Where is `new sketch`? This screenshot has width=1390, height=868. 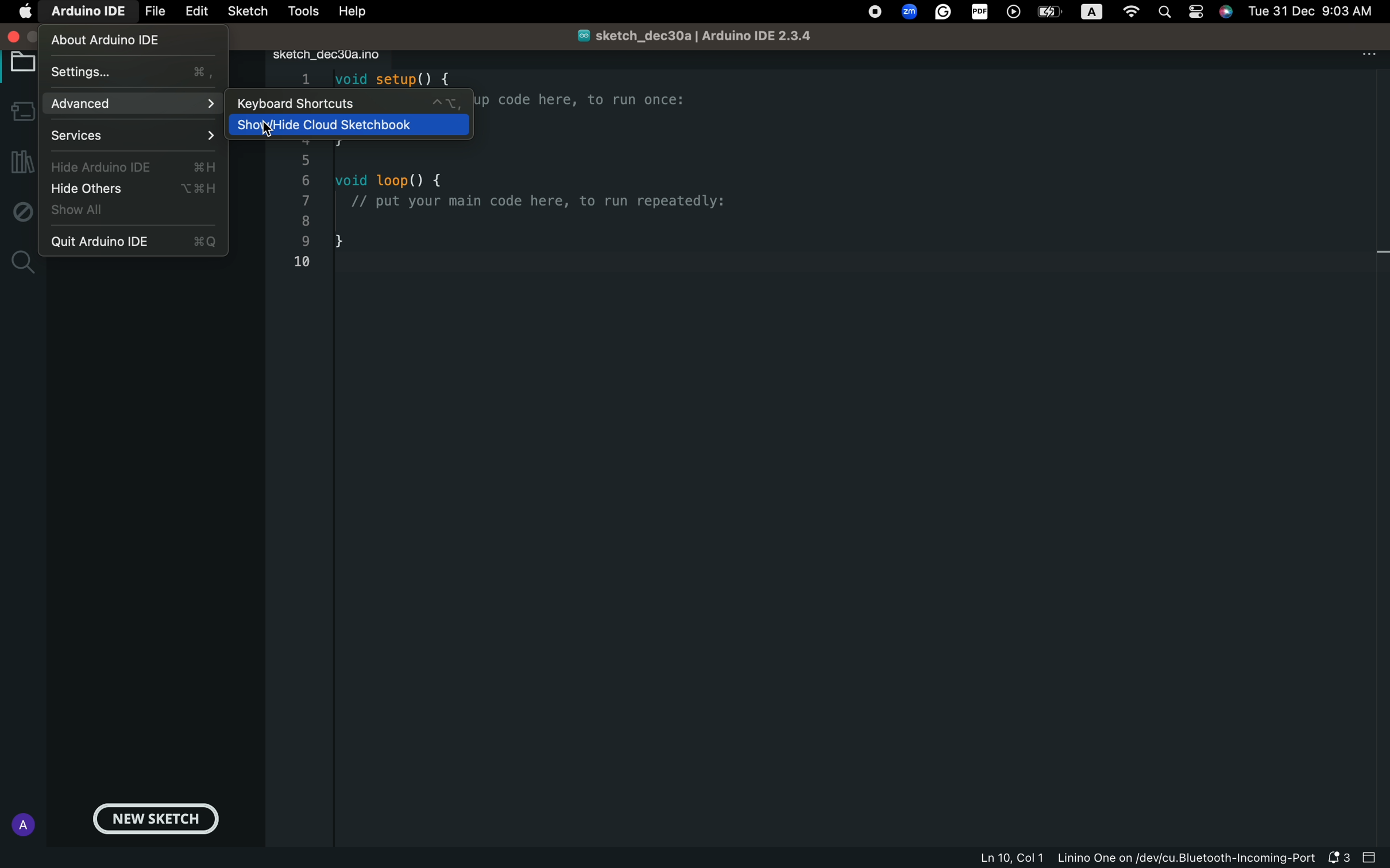
new sketch is located at coordinates (159, 820).